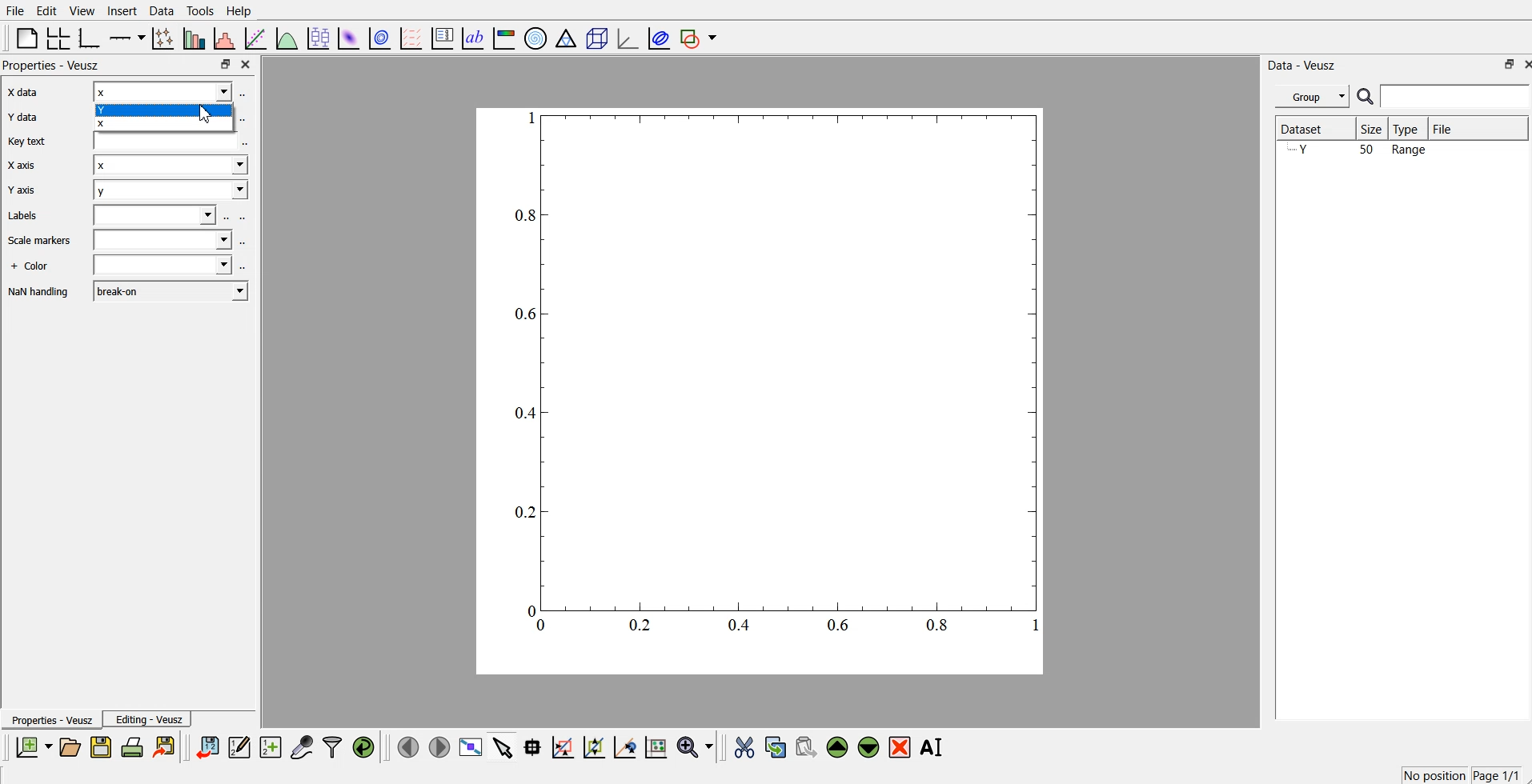  I want to click on Tools, so click(200, 11).